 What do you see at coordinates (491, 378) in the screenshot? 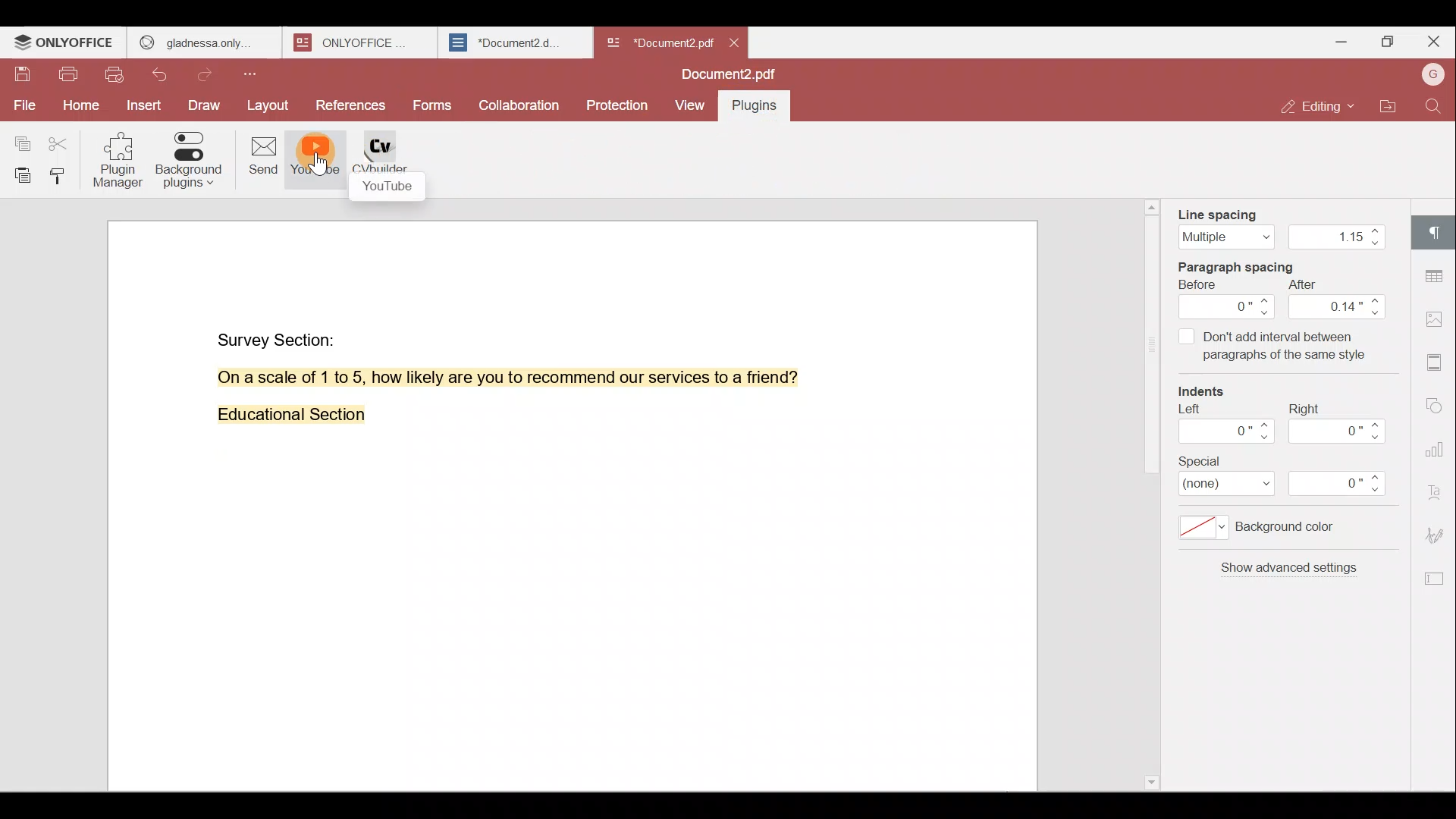
I see `On a scale of 1 to 5, how likely are you to recommend our services to a friend?` at bounding box center [491, 378].